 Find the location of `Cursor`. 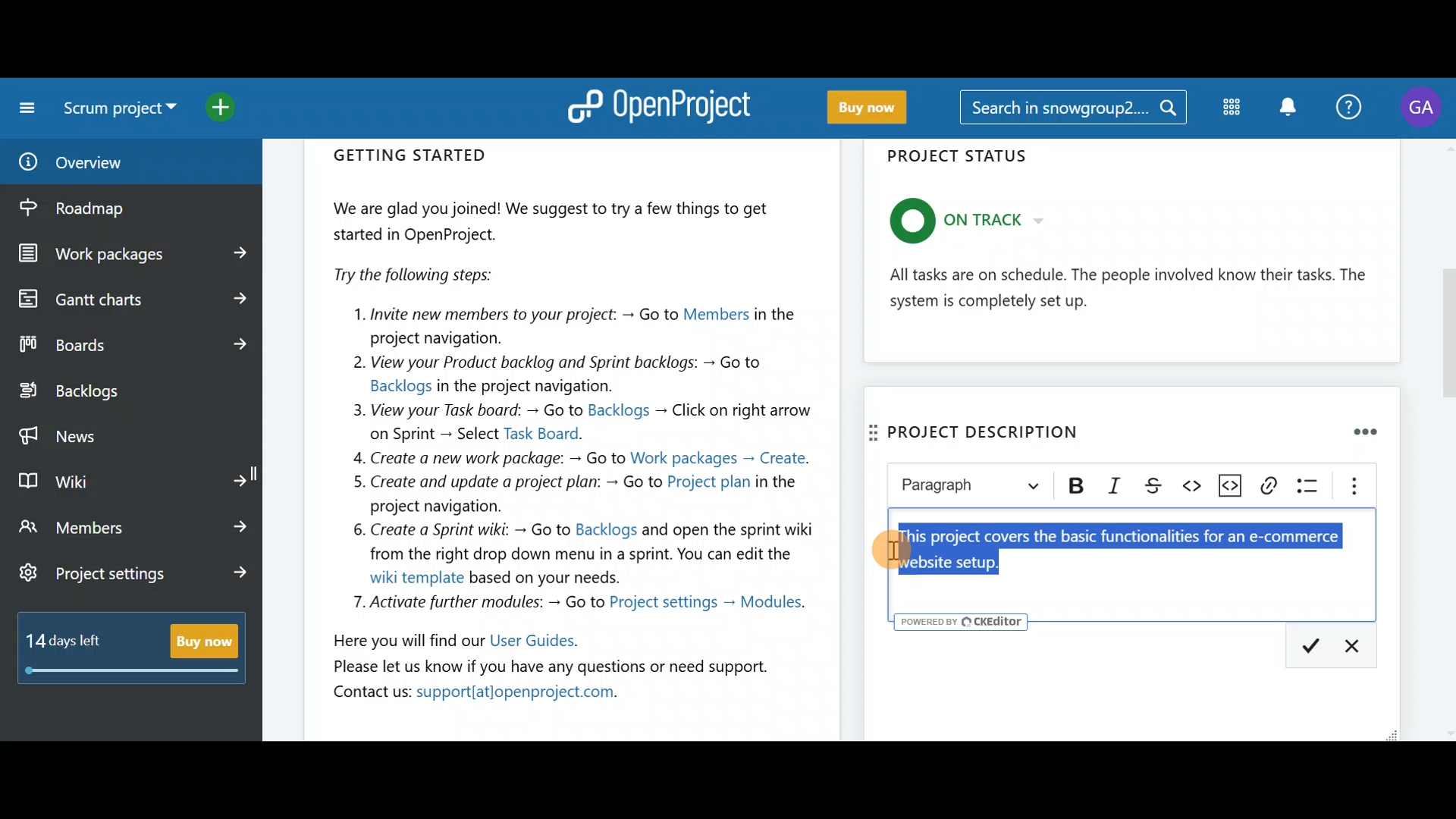

Cursor is located at coordinates (893, 549).